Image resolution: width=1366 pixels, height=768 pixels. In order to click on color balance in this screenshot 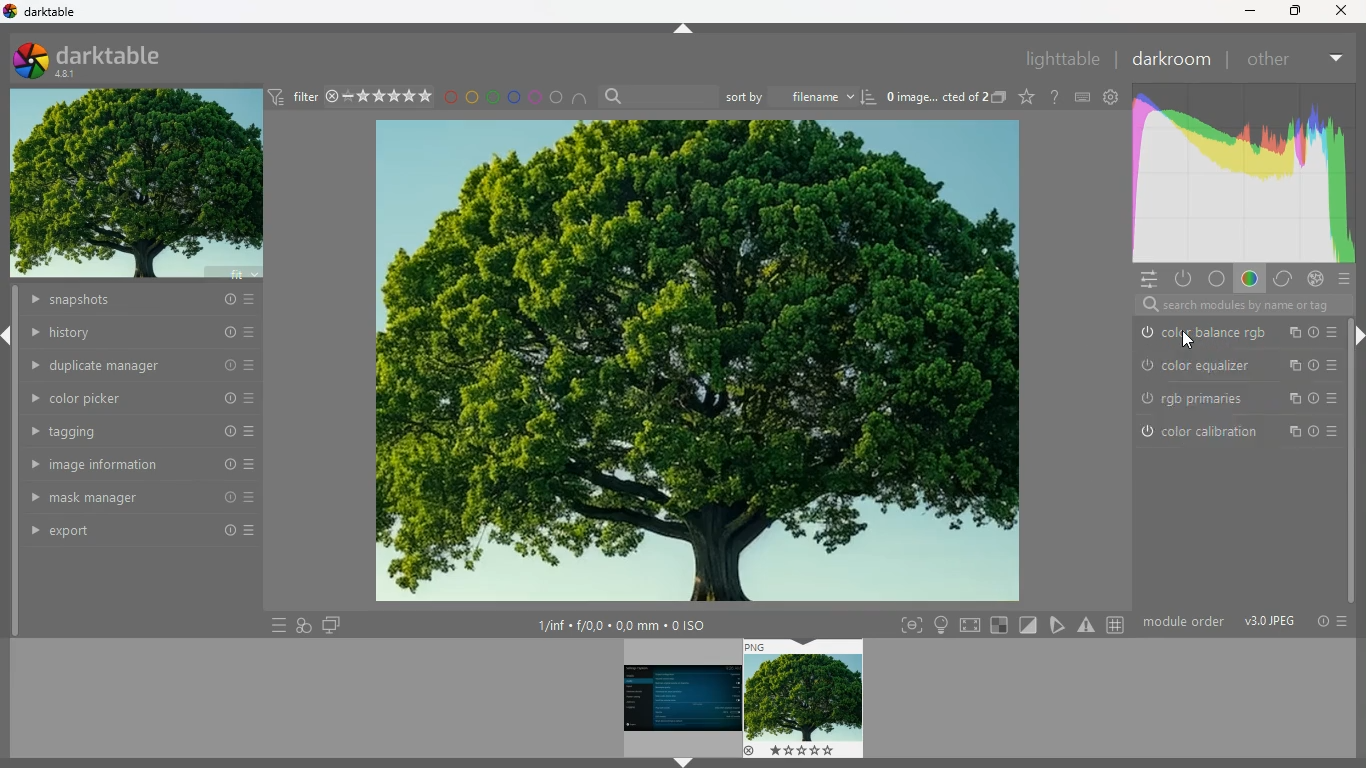, I will do `click(1237, 334)`.